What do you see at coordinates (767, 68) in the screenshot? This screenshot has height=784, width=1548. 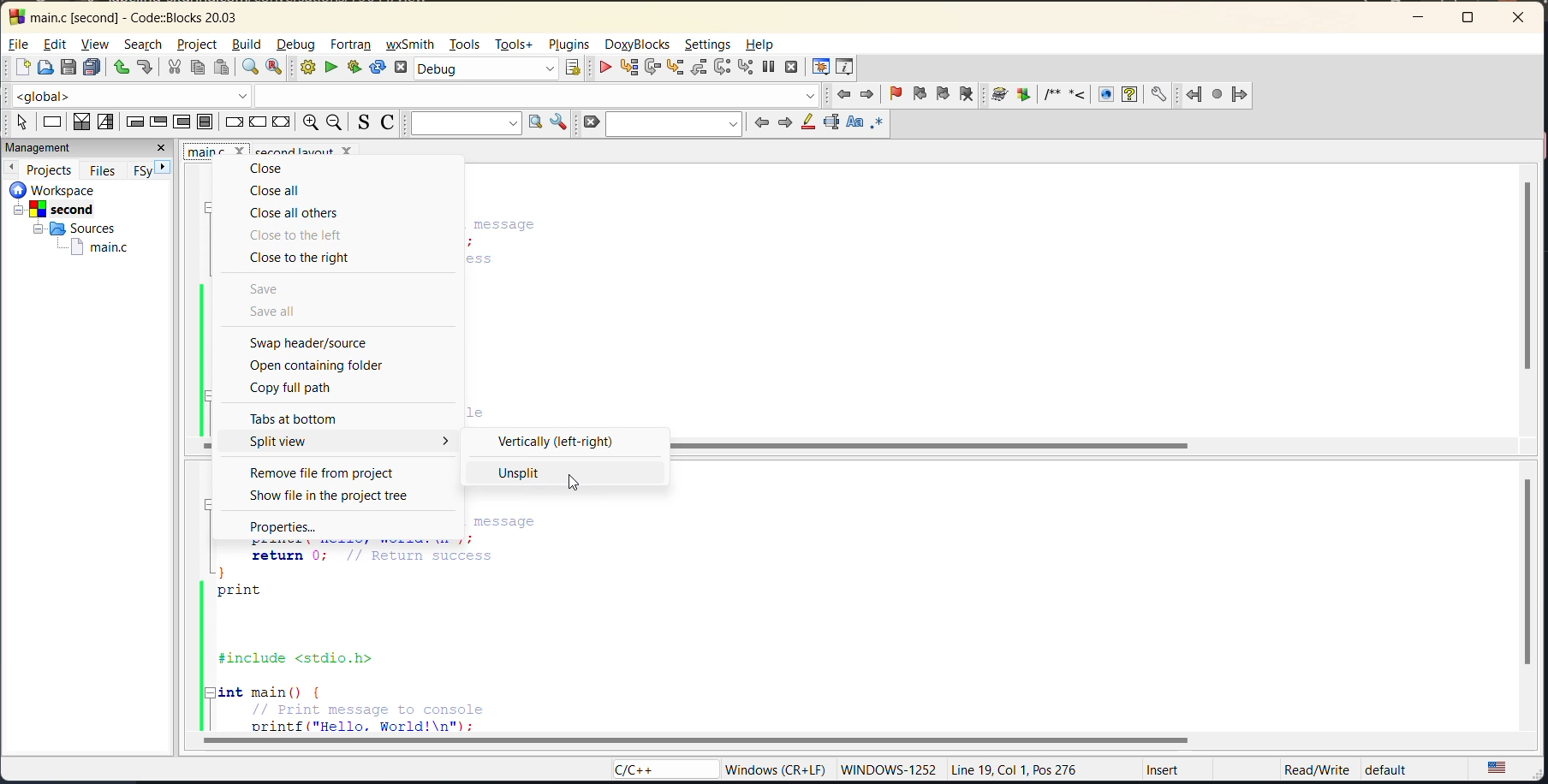 I see `break debugger` at bounding box center [767, 68].